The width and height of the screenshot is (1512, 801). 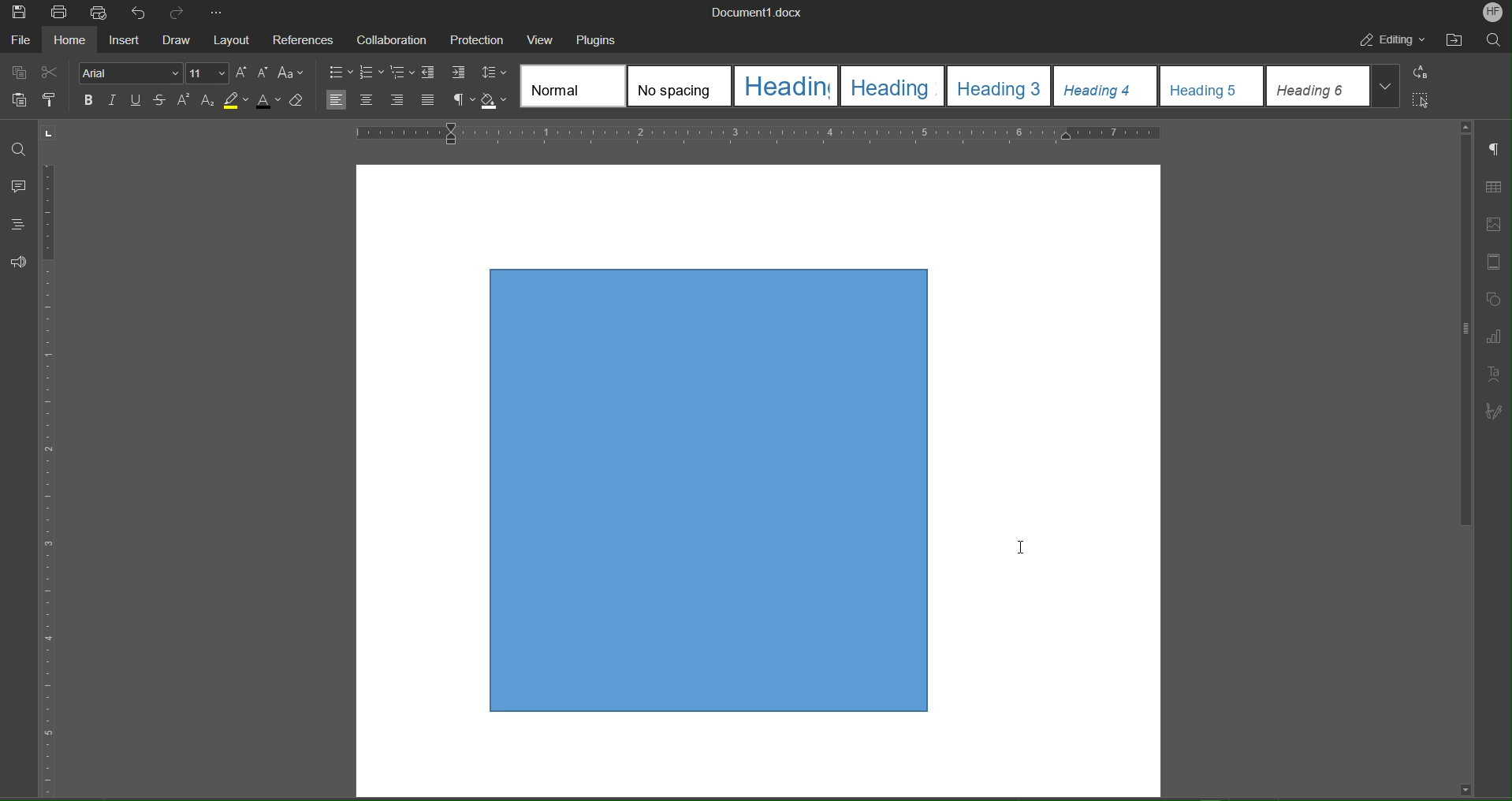 What do you see at coordinates (1424, 73) in the screenshot?
I see `Replace` at bounding box center [1424, 73].